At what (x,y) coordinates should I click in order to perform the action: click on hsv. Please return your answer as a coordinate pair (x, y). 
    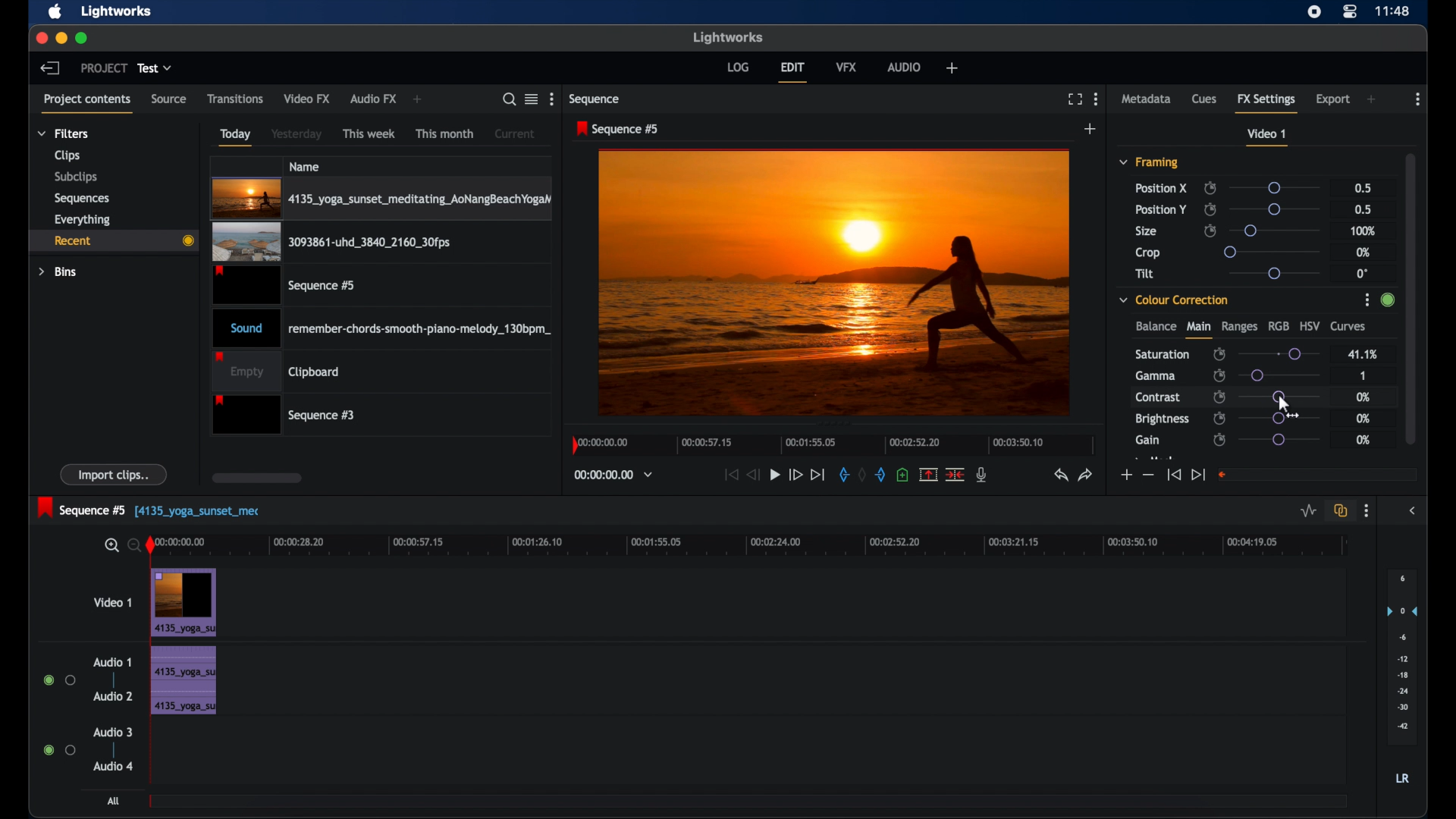
    Looking at the image, I should click on (1310, 325).